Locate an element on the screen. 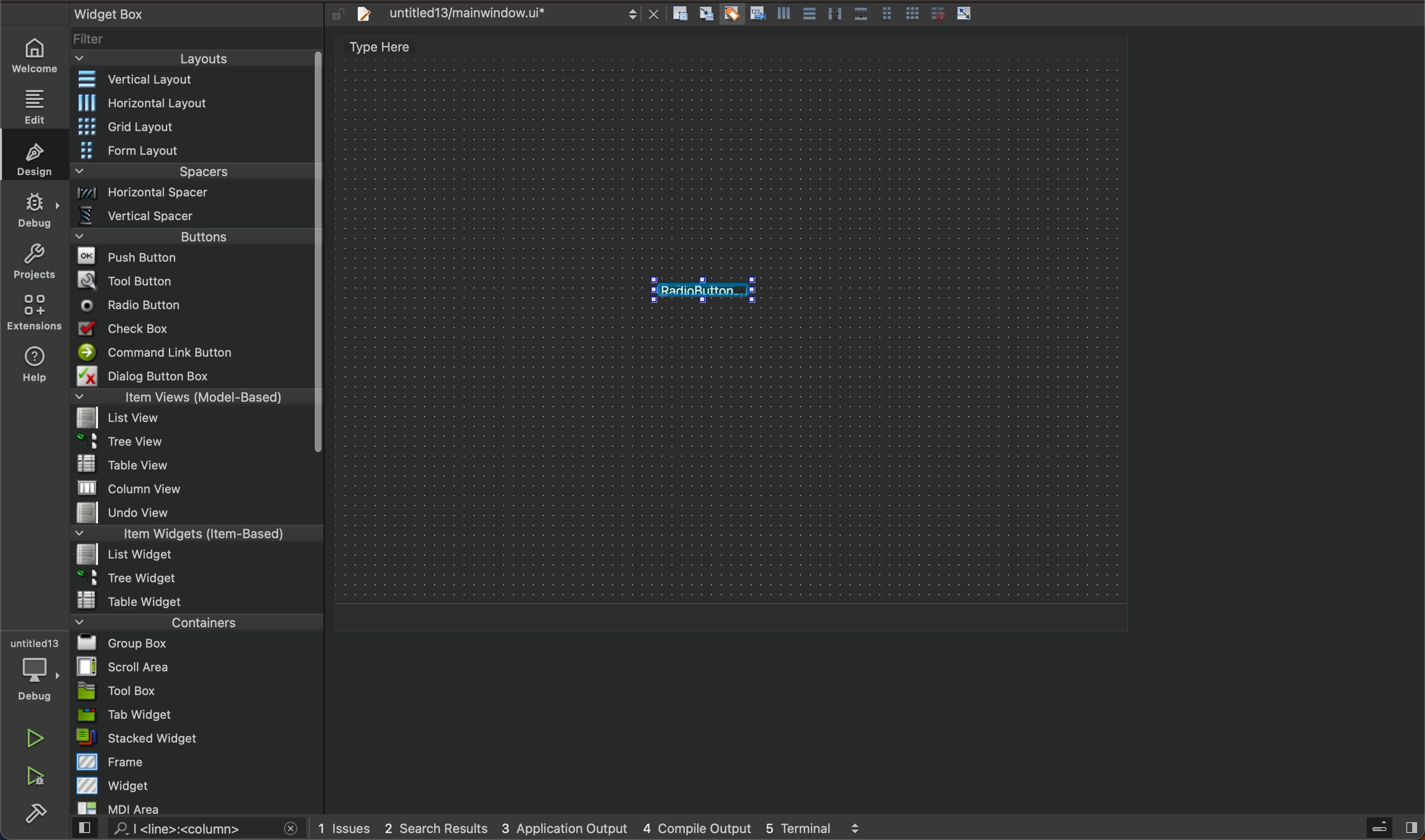 The width and height of the screenshot is (1425, 840).  is located at coordinates (190, 445).